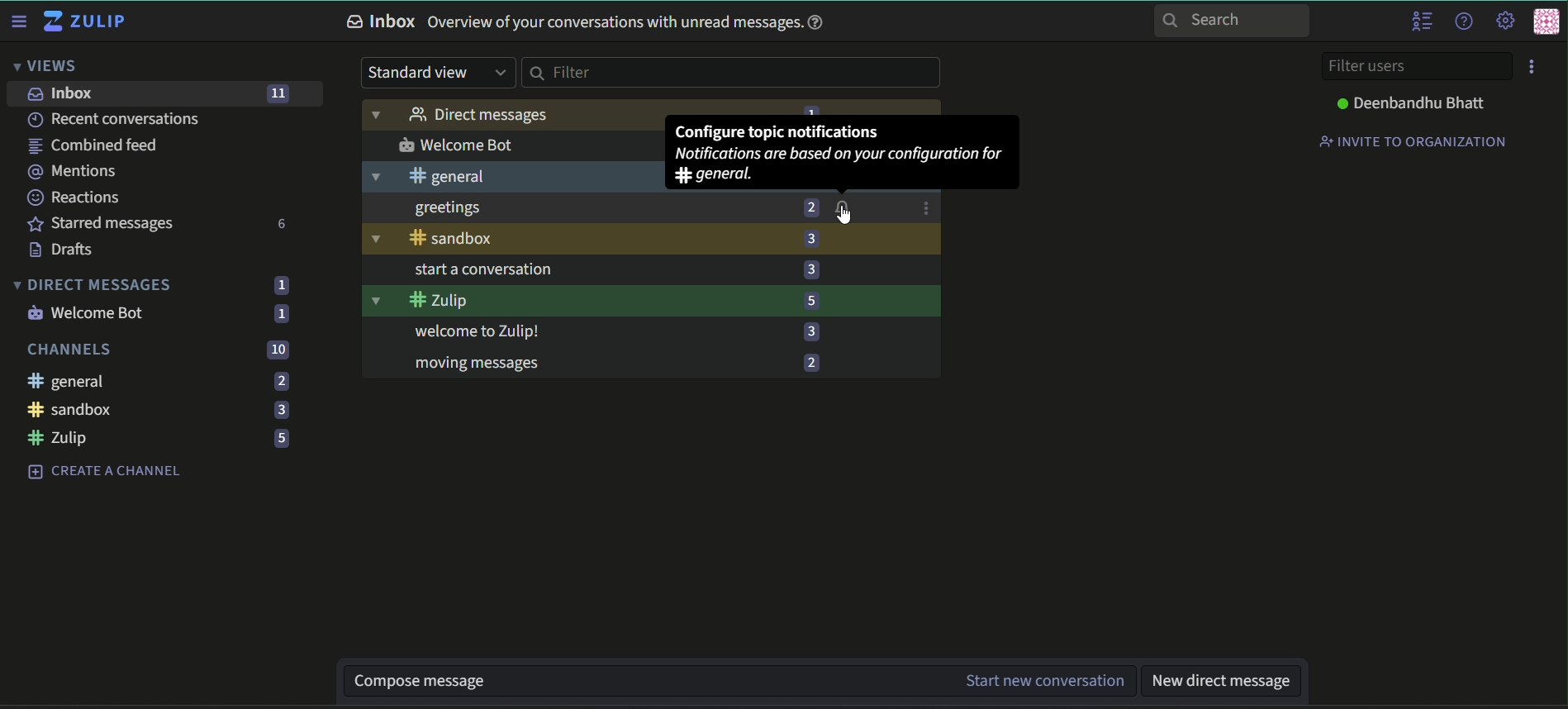 This screenshot has width=1568, height=709. What do you see at coordinates (58, 438) in the screenshot?
I see `Zulip` at bounding box center [58, 438].